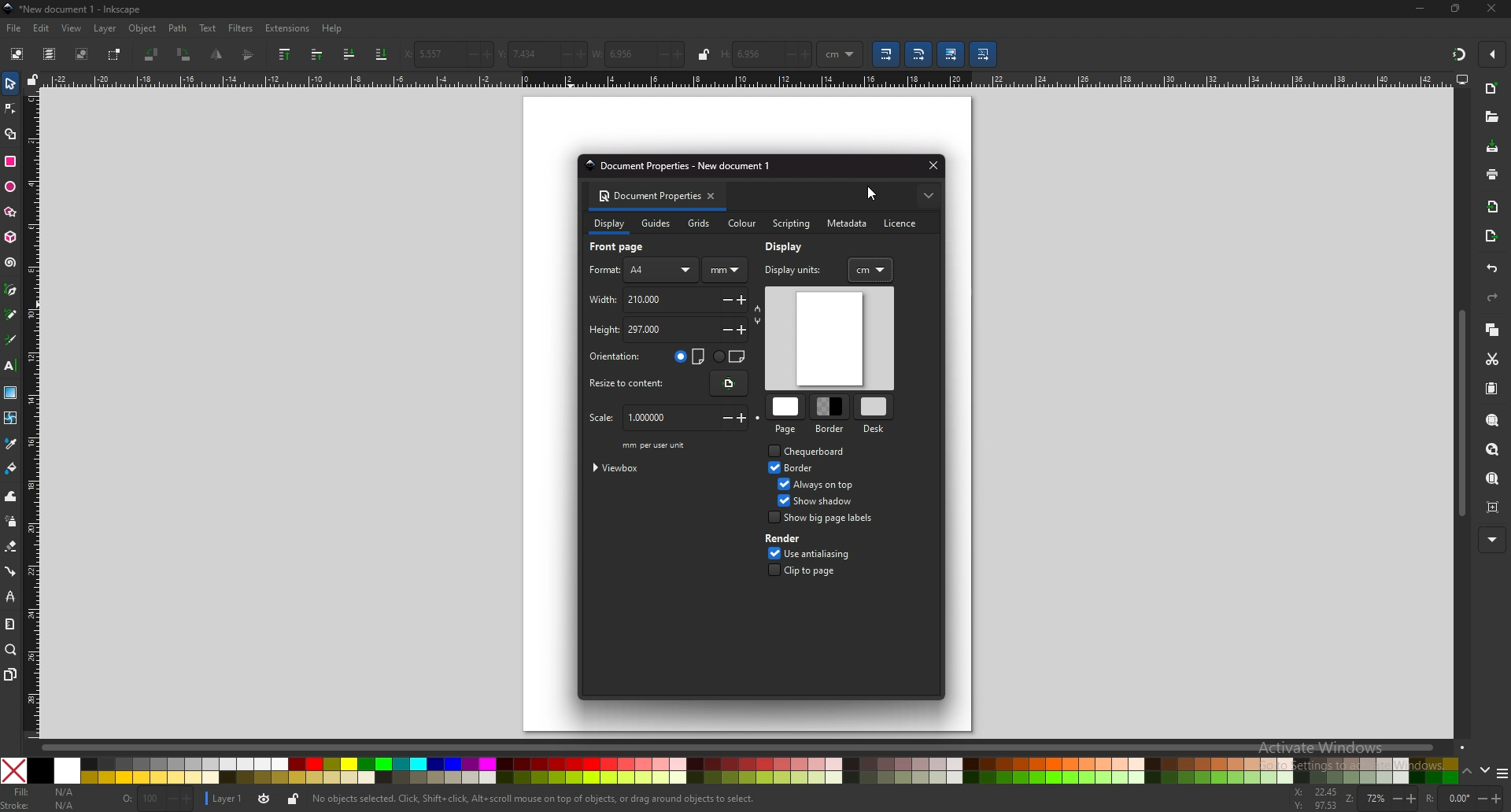  I want to click on Checkbox, so click(770, 467).